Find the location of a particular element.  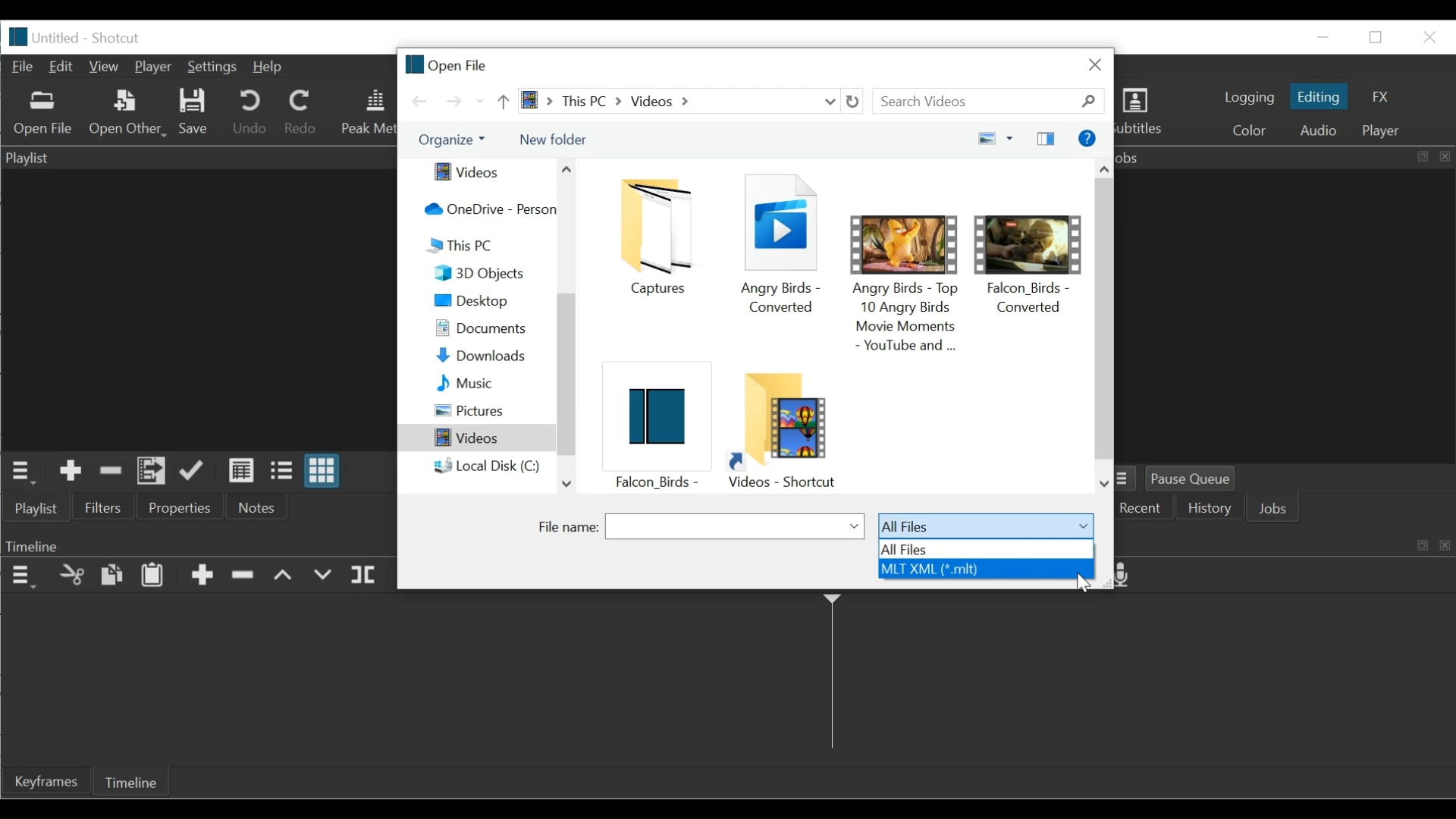

more options is located at coordinates (1012, 137).